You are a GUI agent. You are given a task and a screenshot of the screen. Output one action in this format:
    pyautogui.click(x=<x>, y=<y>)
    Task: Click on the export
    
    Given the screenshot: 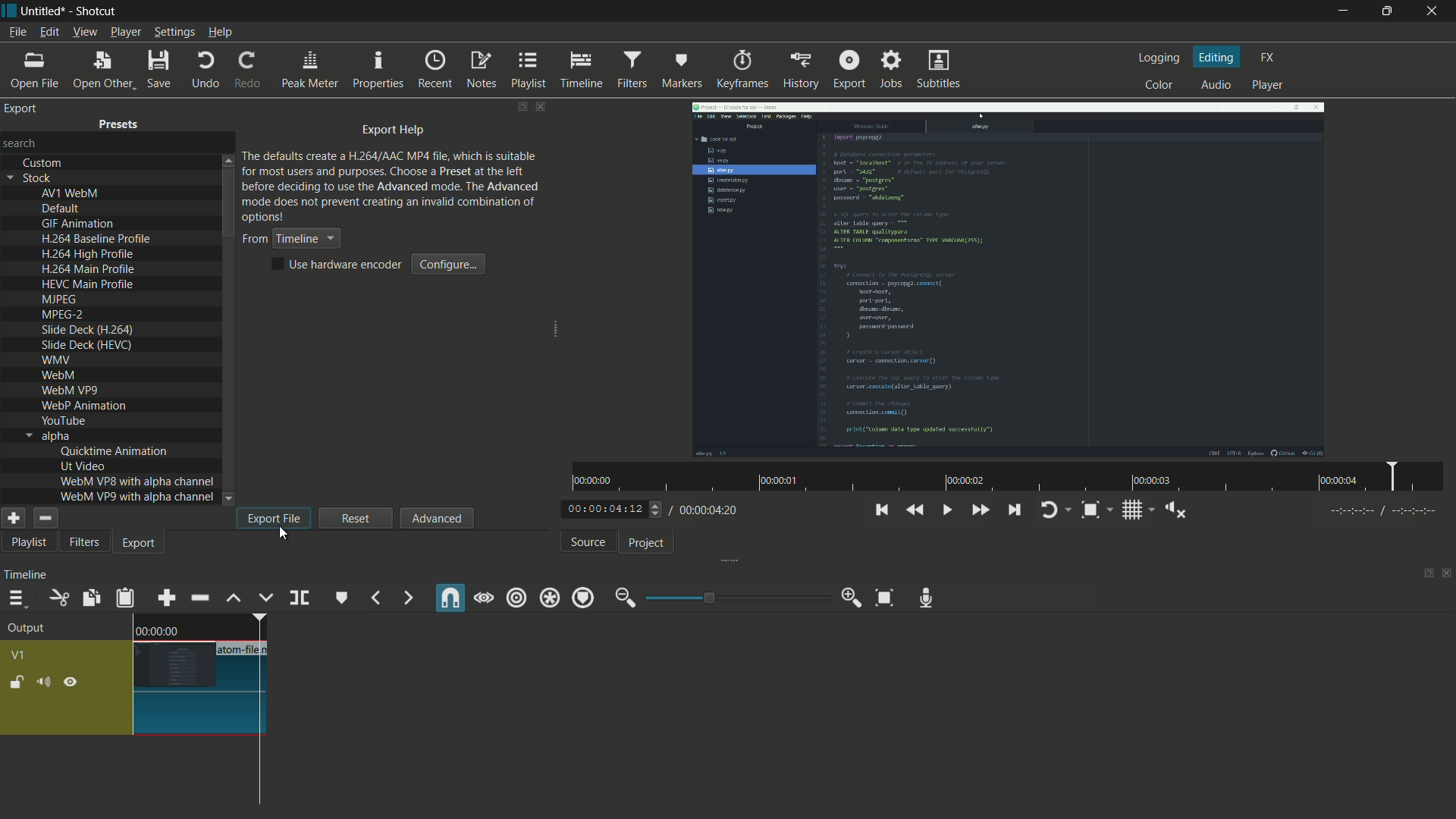 What is the action you would take?
    pyautogui.click(x=848, y=69)
    